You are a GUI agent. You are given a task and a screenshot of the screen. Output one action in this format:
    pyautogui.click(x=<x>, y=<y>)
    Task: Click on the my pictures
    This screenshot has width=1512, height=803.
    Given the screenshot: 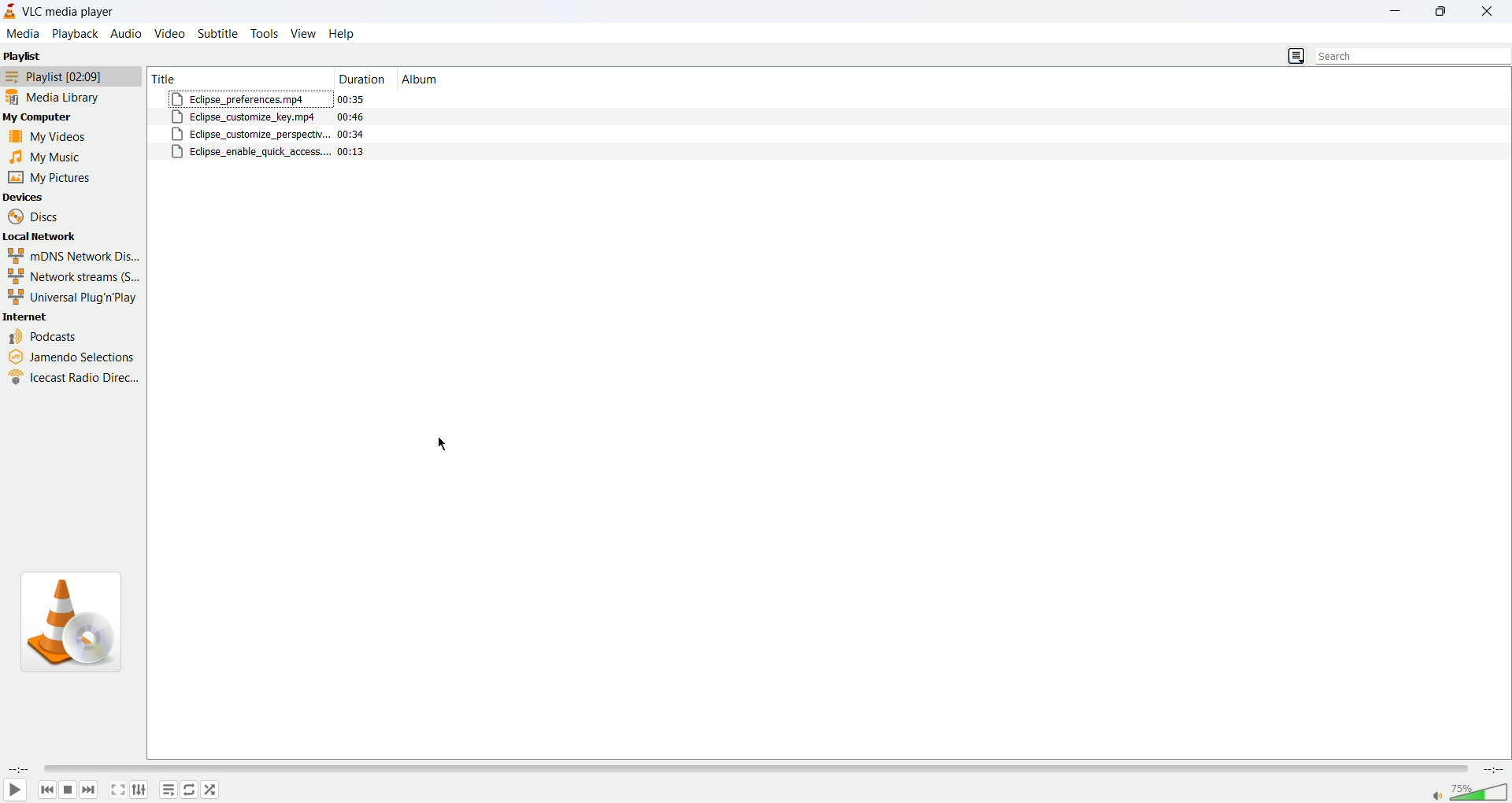 What is the action you would take?
    pyautogui.click(x=52, y=178)
    